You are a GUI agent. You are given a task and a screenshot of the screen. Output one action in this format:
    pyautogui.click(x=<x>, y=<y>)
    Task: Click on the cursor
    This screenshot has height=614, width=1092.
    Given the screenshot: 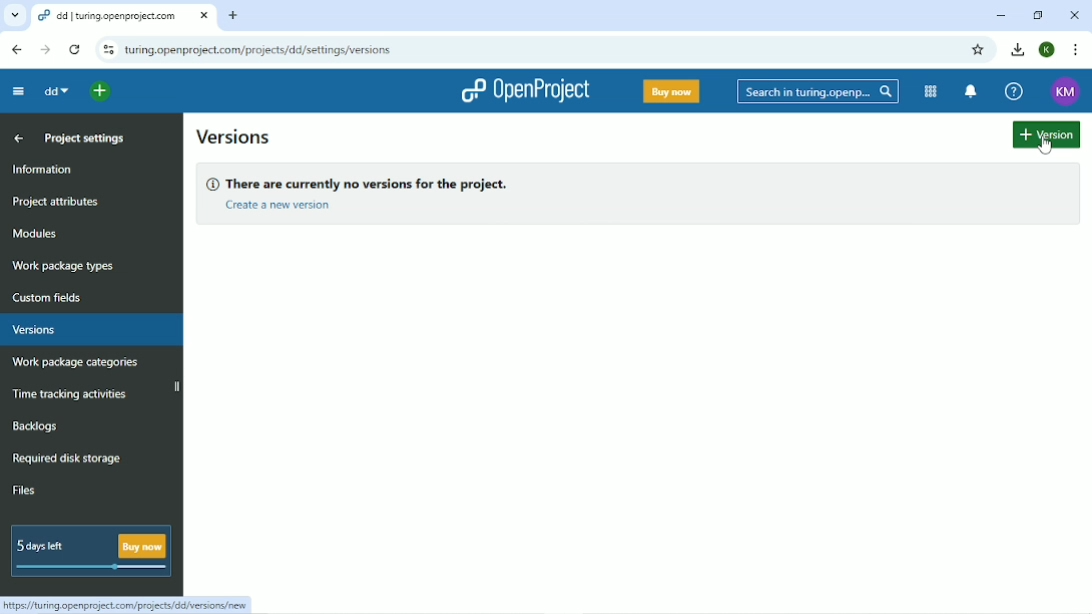 What is the action you would take?
    pyautogui.click(x=1041, y=157)
    